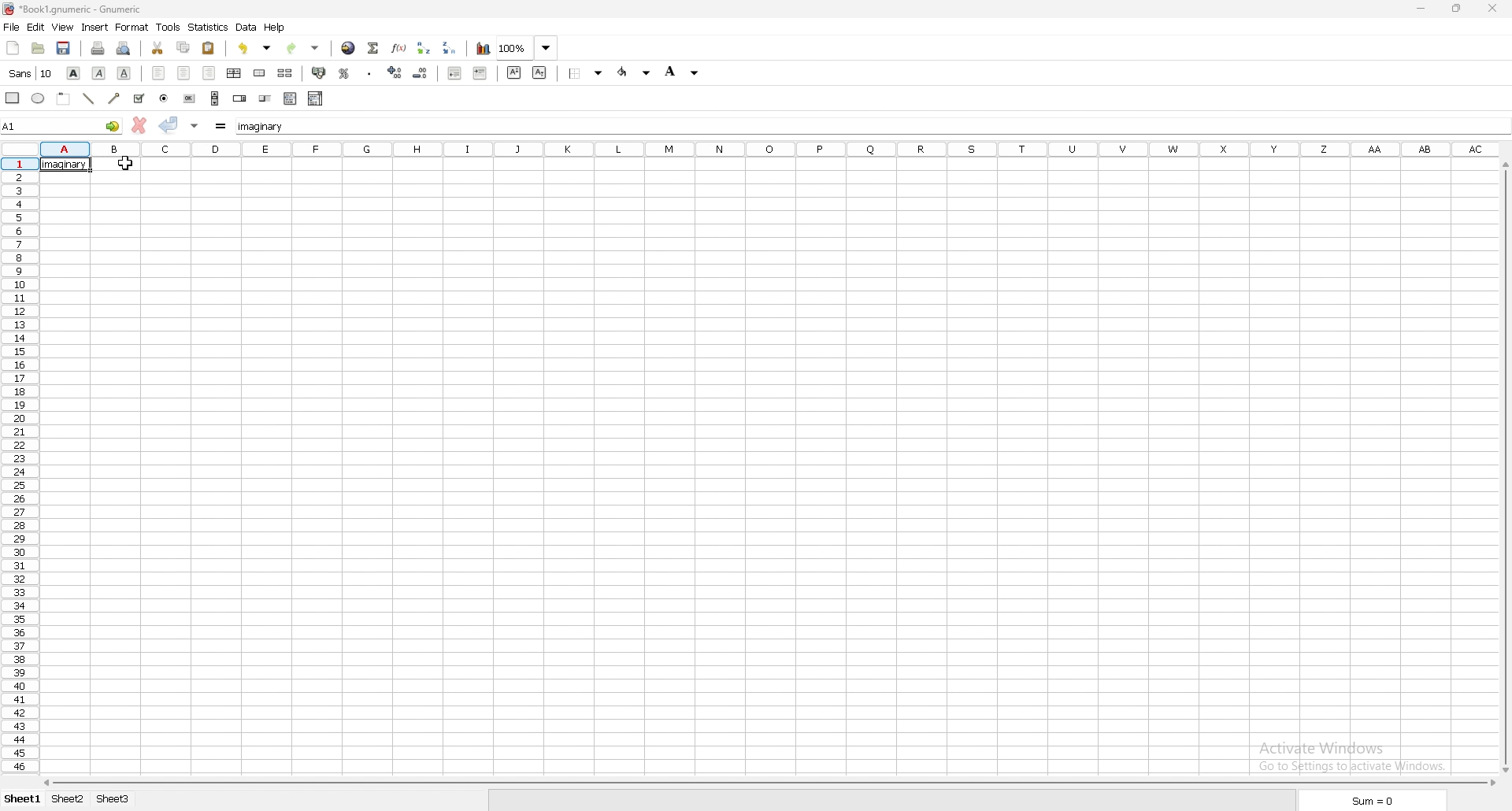 This screenshot has width=1512, height=811. Describe the element at coordinates (158, 72) in the screenshot. I see `left align` at that location.